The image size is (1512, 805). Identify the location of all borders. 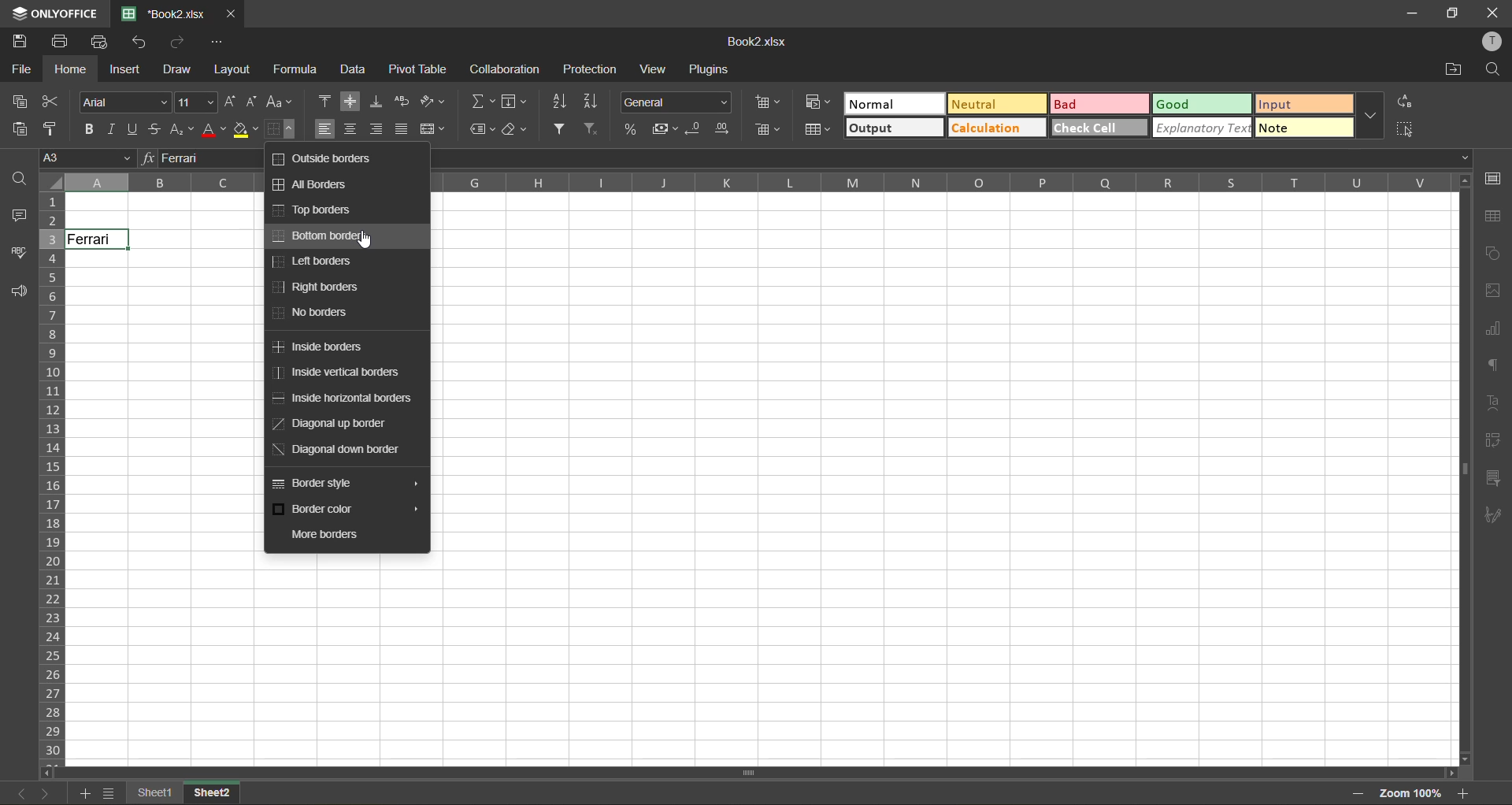
(316, 184).